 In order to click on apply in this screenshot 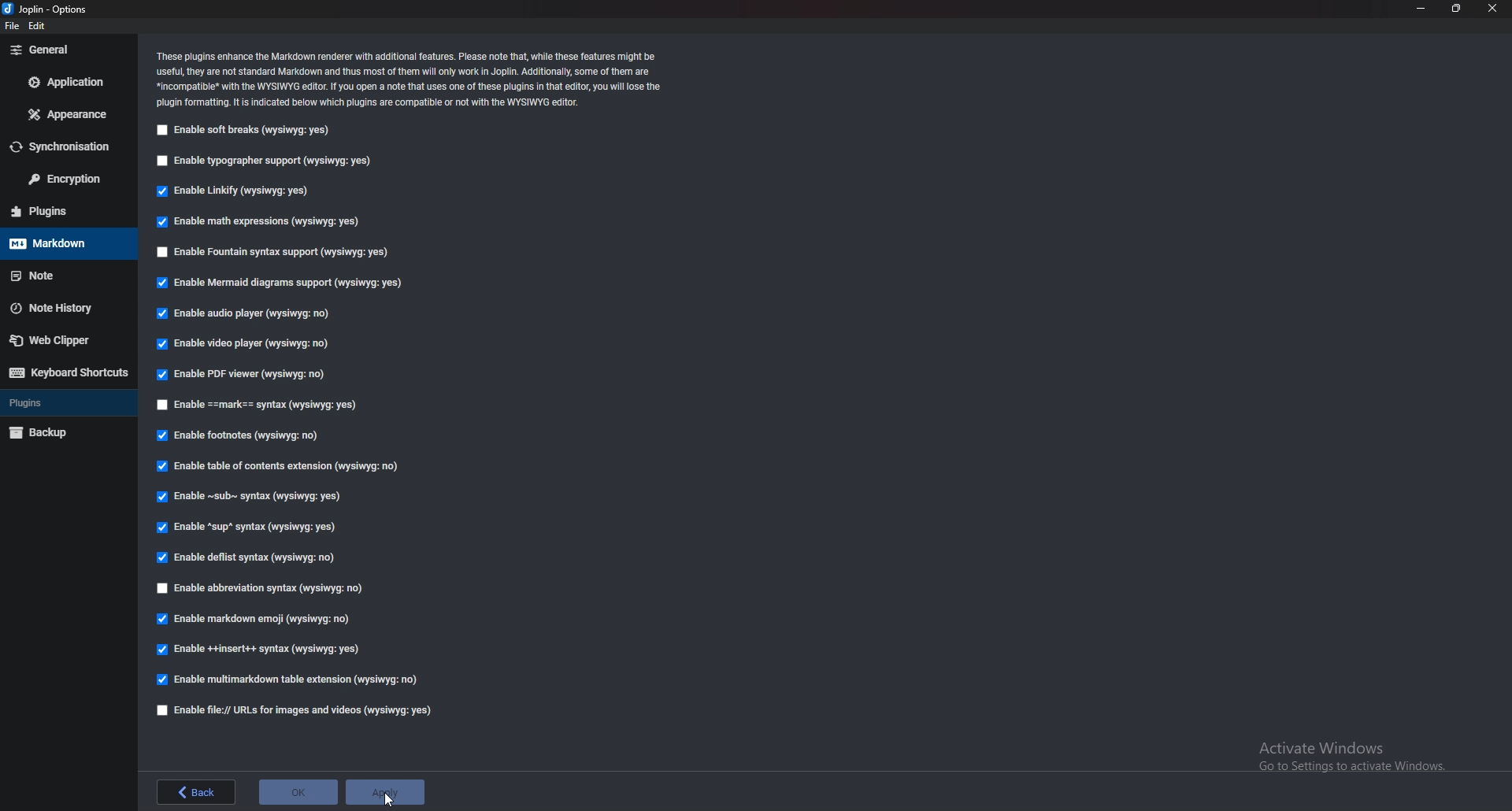, I will do `click(387, 790)`.